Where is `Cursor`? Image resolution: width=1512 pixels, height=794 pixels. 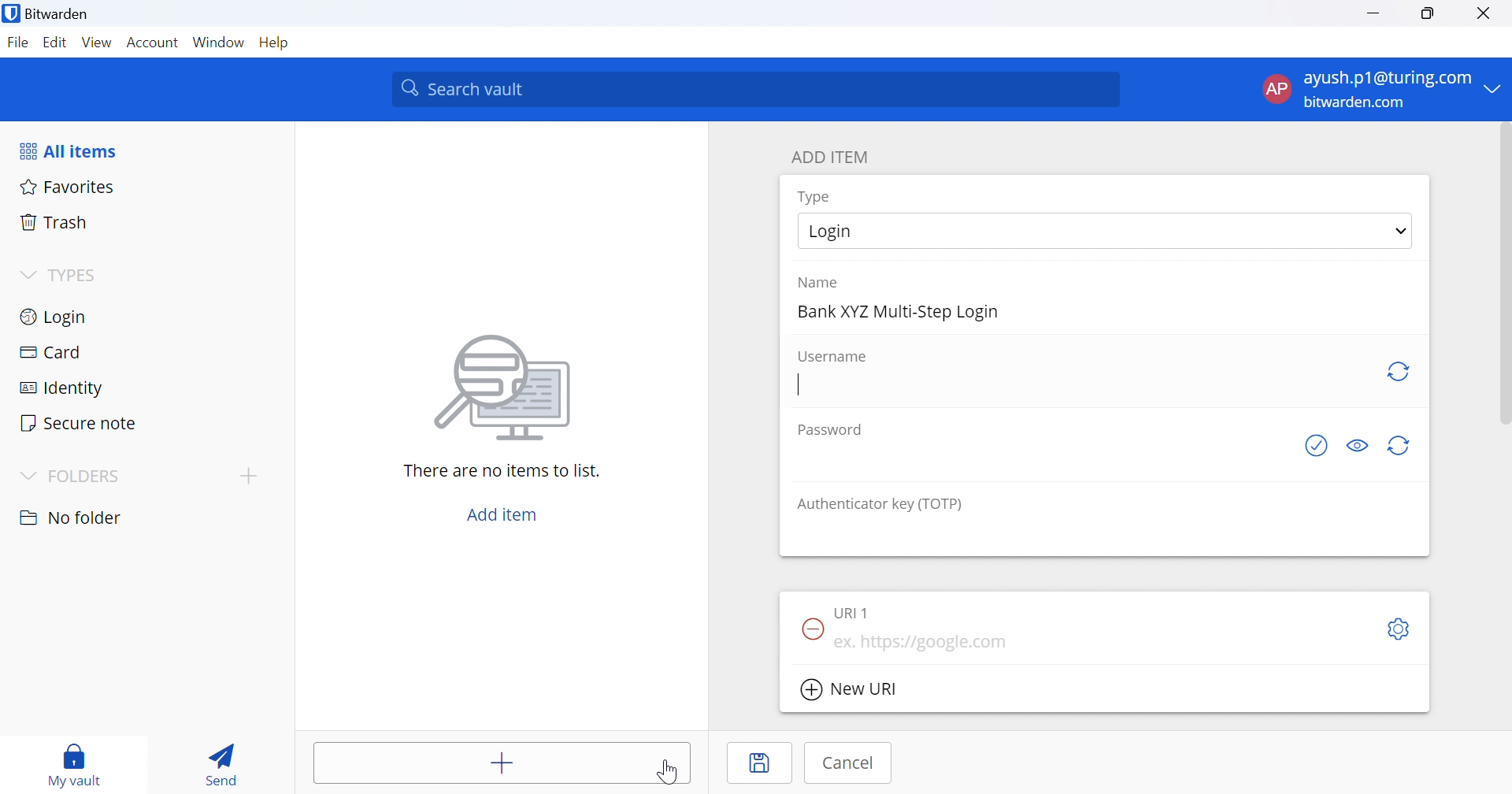
Cursor is located at coordinates (799, 386).